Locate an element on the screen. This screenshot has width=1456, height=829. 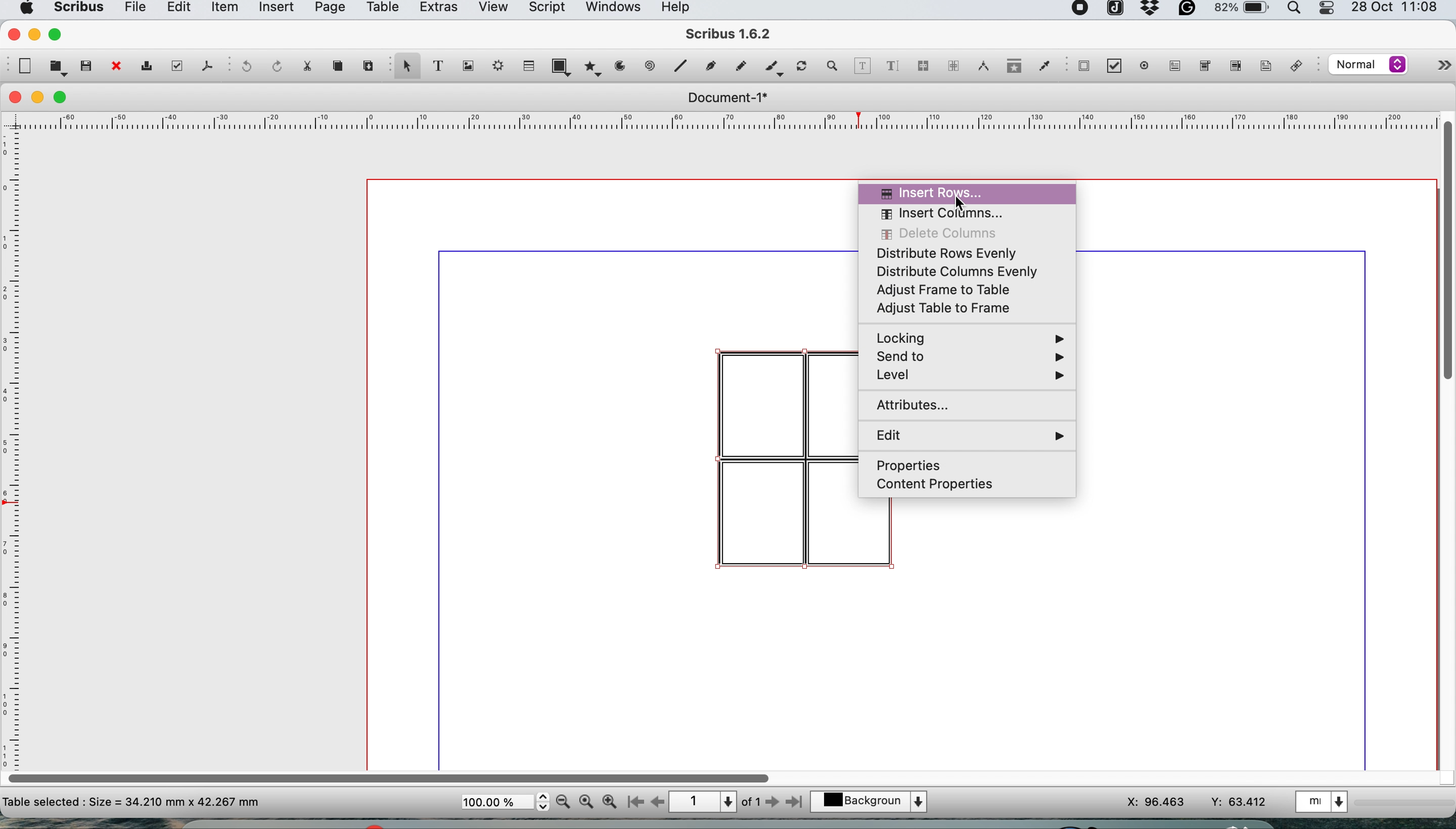
joplin is located at coordinates (1114, 10).